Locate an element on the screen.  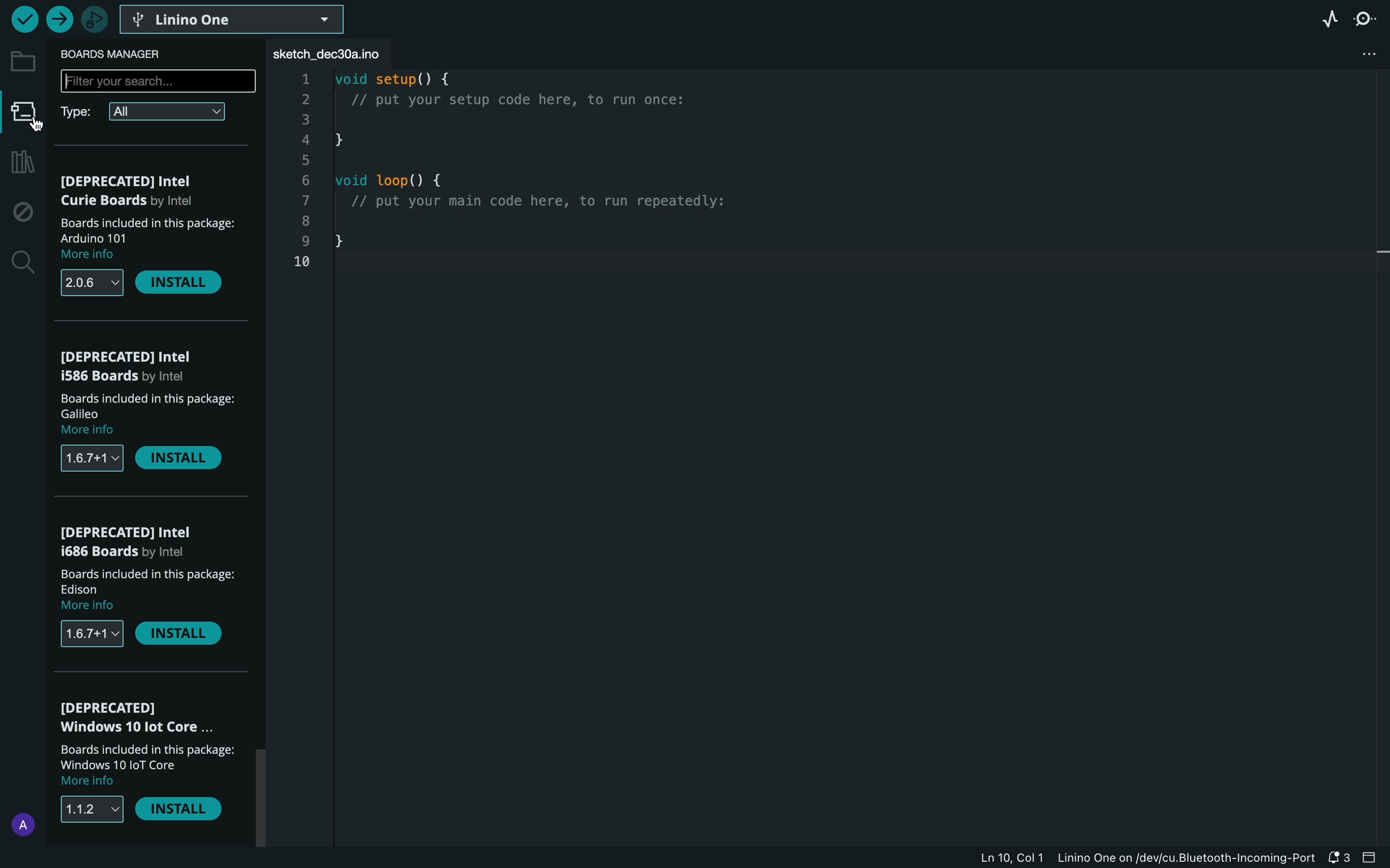
search is located at coordinates (22, 262).